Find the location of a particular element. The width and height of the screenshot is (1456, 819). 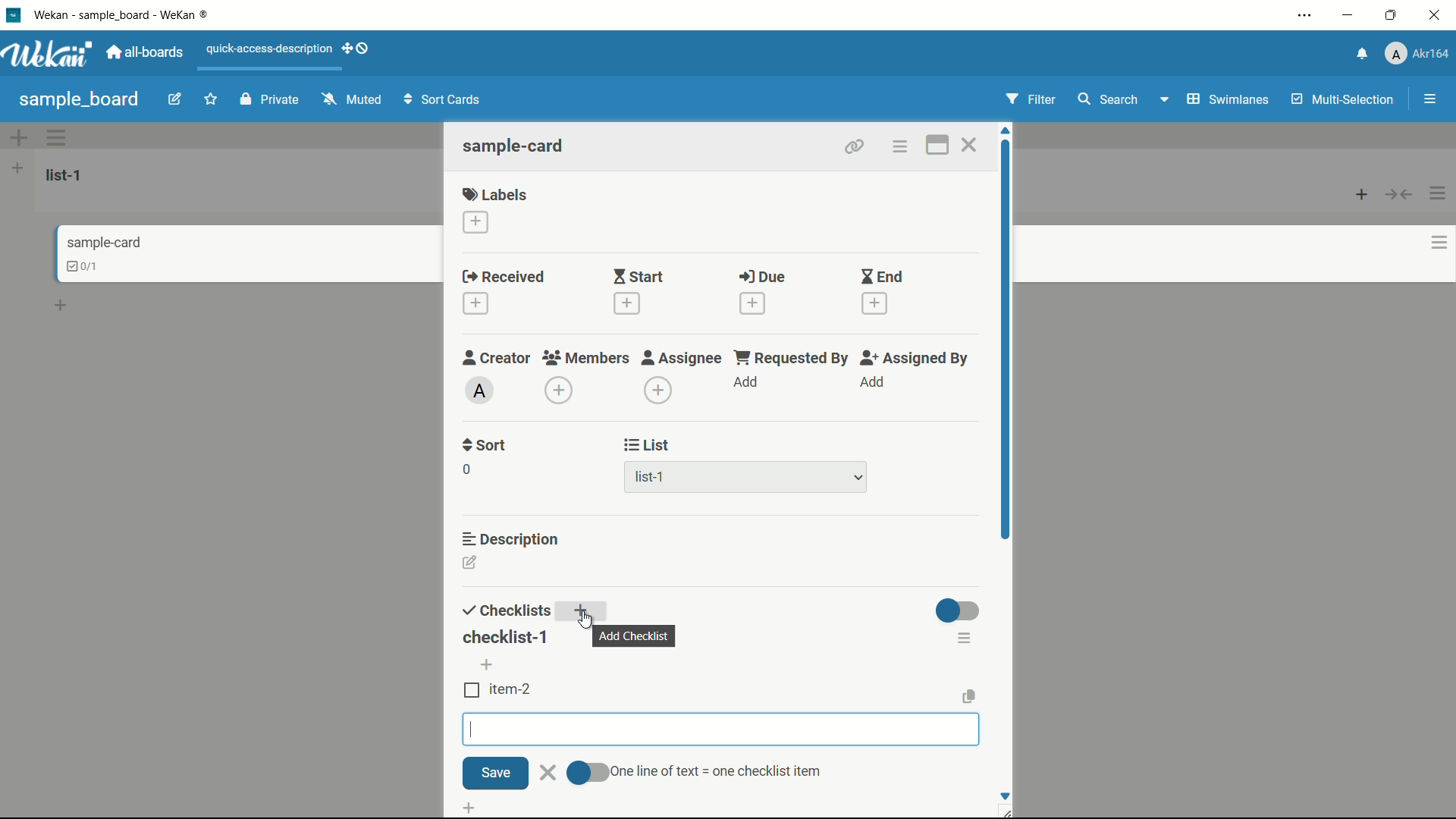

cklist is located at coordinates (84, 266).